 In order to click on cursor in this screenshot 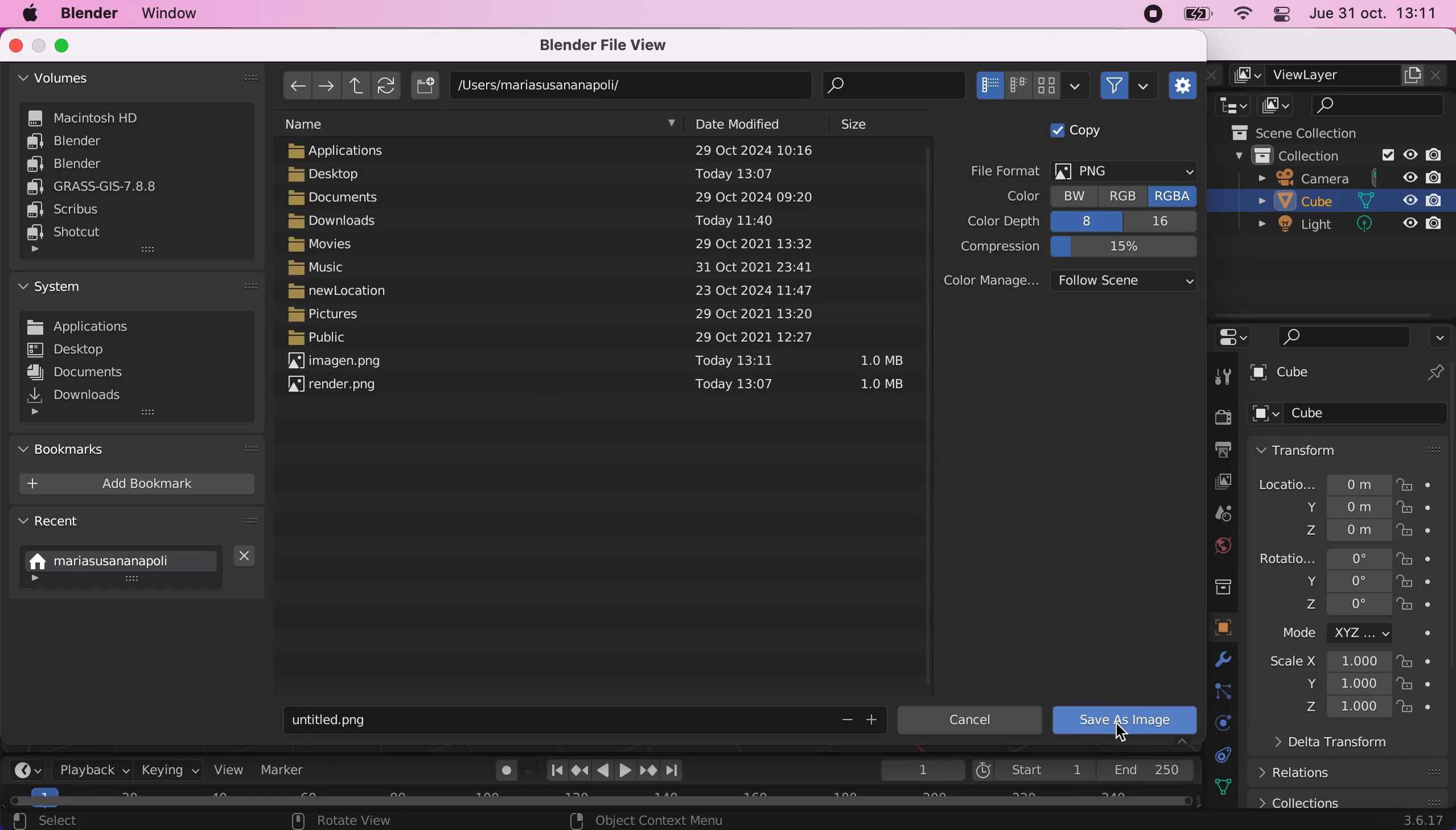, I will do `click(1124, 735)`.